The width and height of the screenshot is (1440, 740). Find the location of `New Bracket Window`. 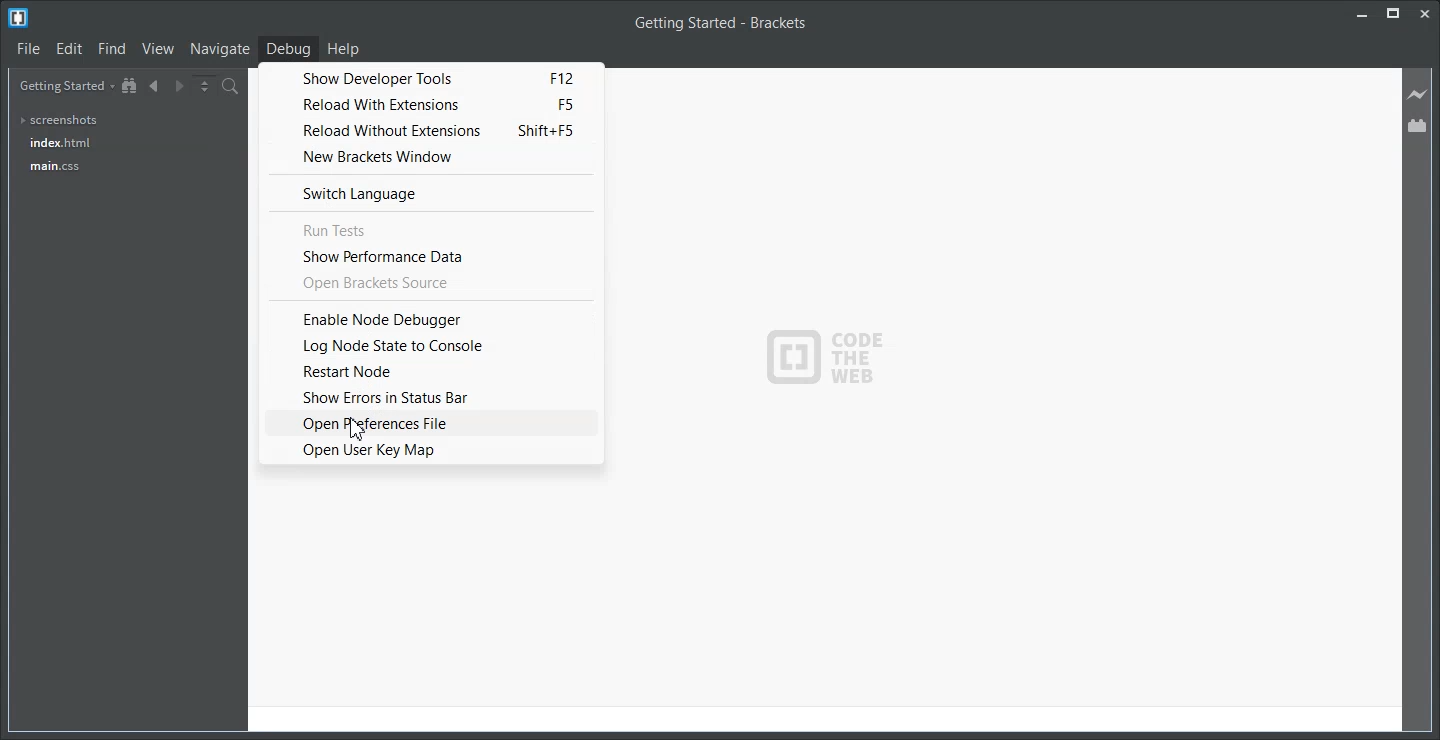

New Bracket Window is located at coordinates (430, 156).